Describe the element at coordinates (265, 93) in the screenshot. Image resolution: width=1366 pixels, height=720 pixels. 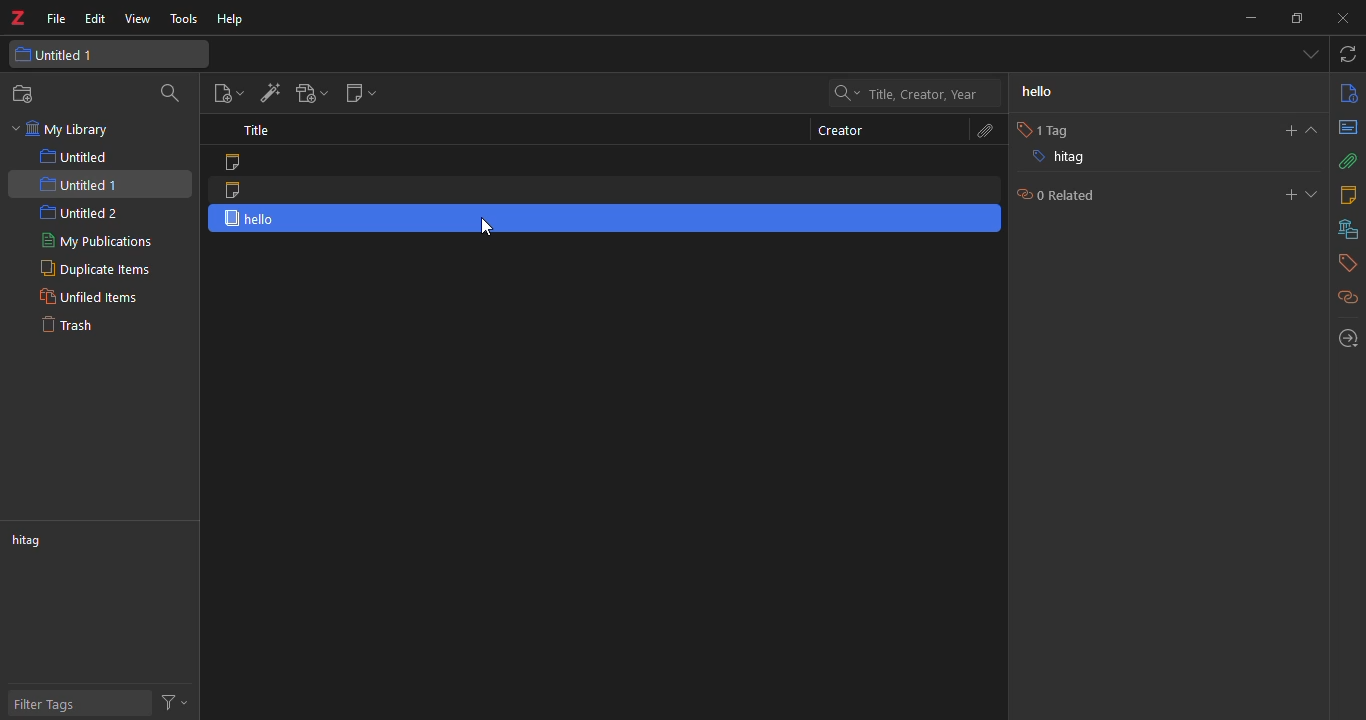
I see `add item` at that location.